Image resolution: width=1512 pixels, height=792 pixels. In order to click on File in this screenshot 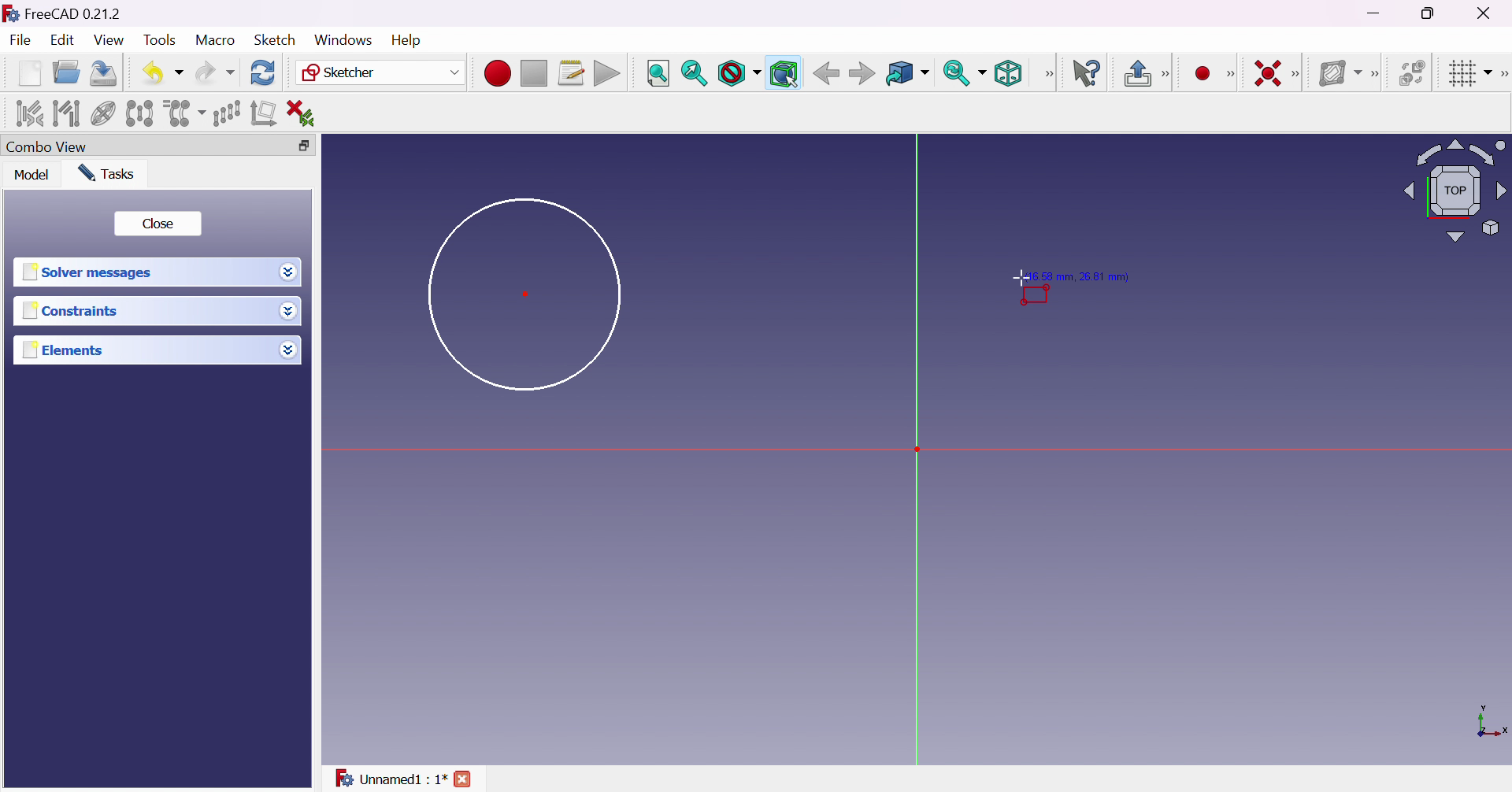, I will do `click(22, 42)`.